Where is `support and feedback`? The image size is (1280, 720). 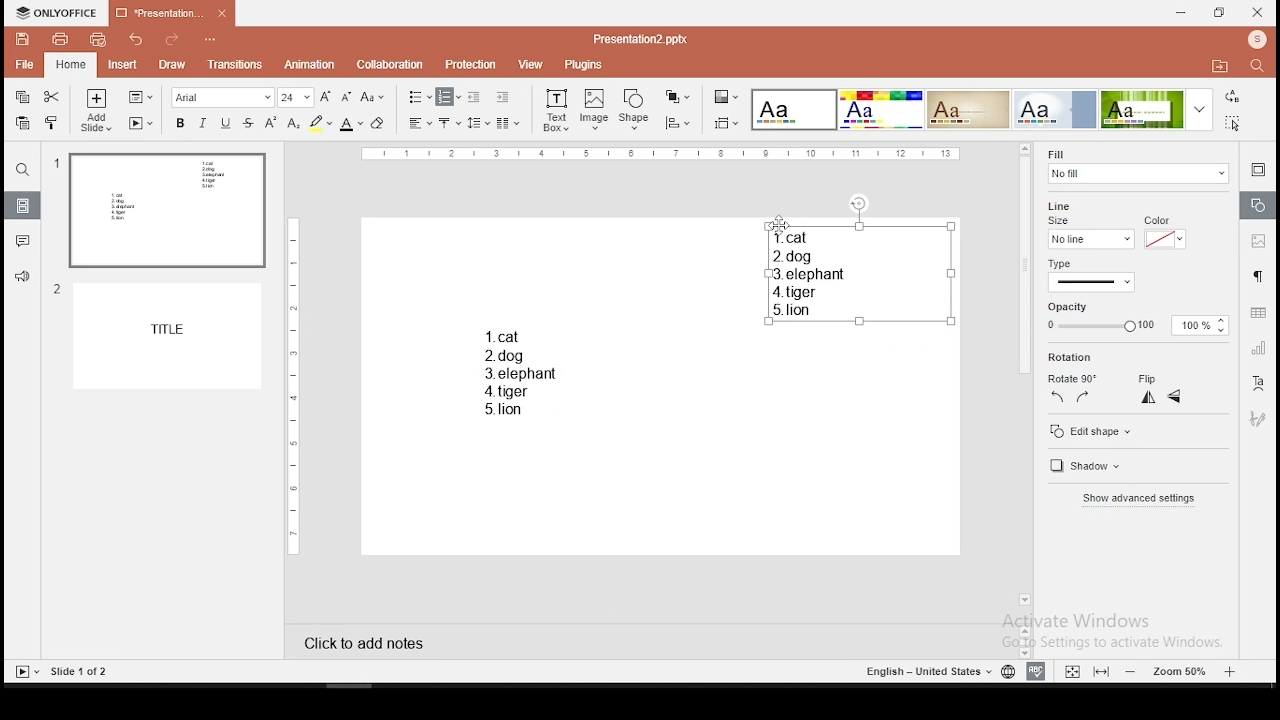
support and feedback is located at coordinates (23, 278).